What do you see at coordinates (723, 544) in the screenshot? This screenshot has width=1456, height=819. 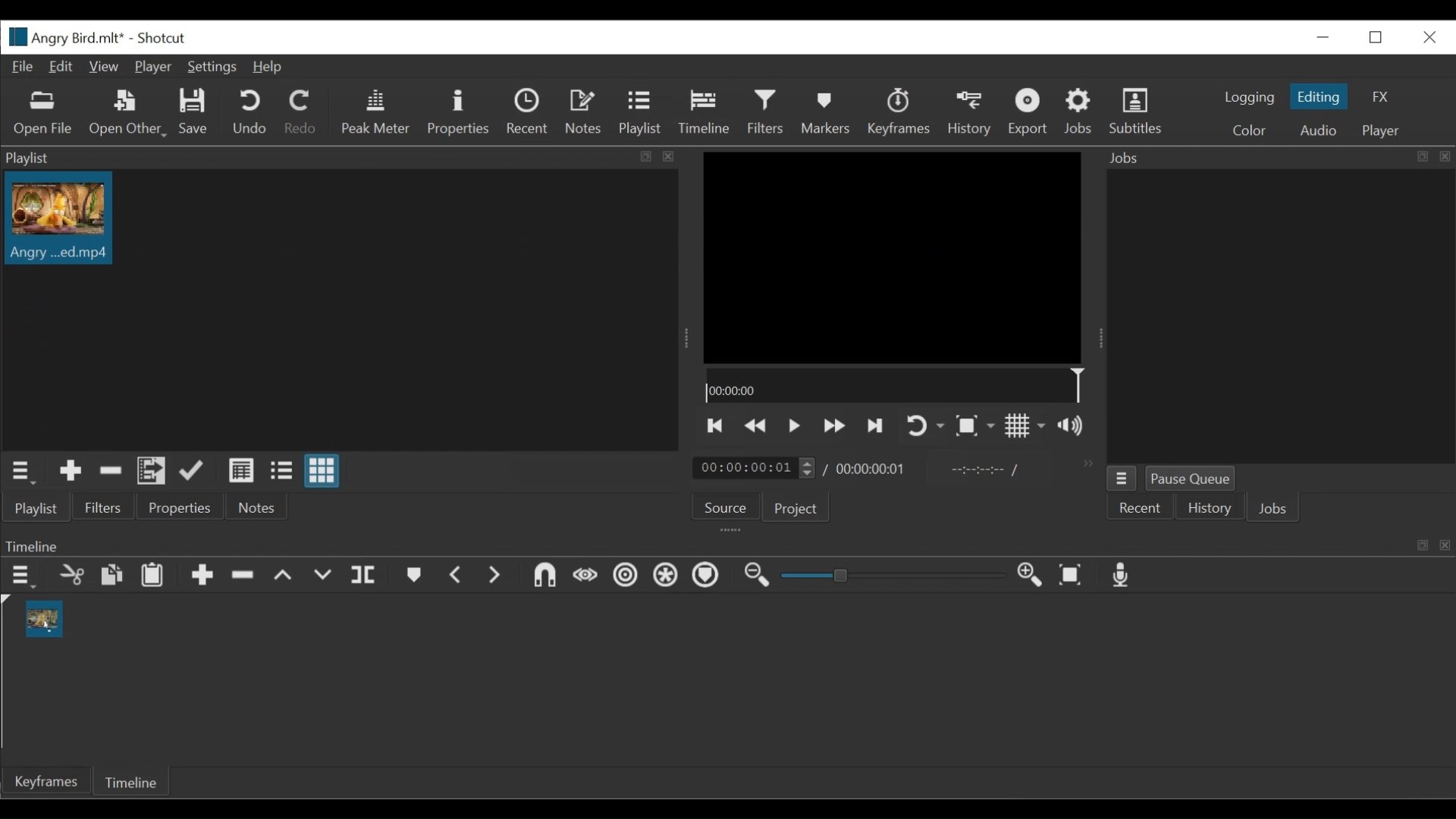 I see `Timeline Panel` at bounding box center [723, 544].